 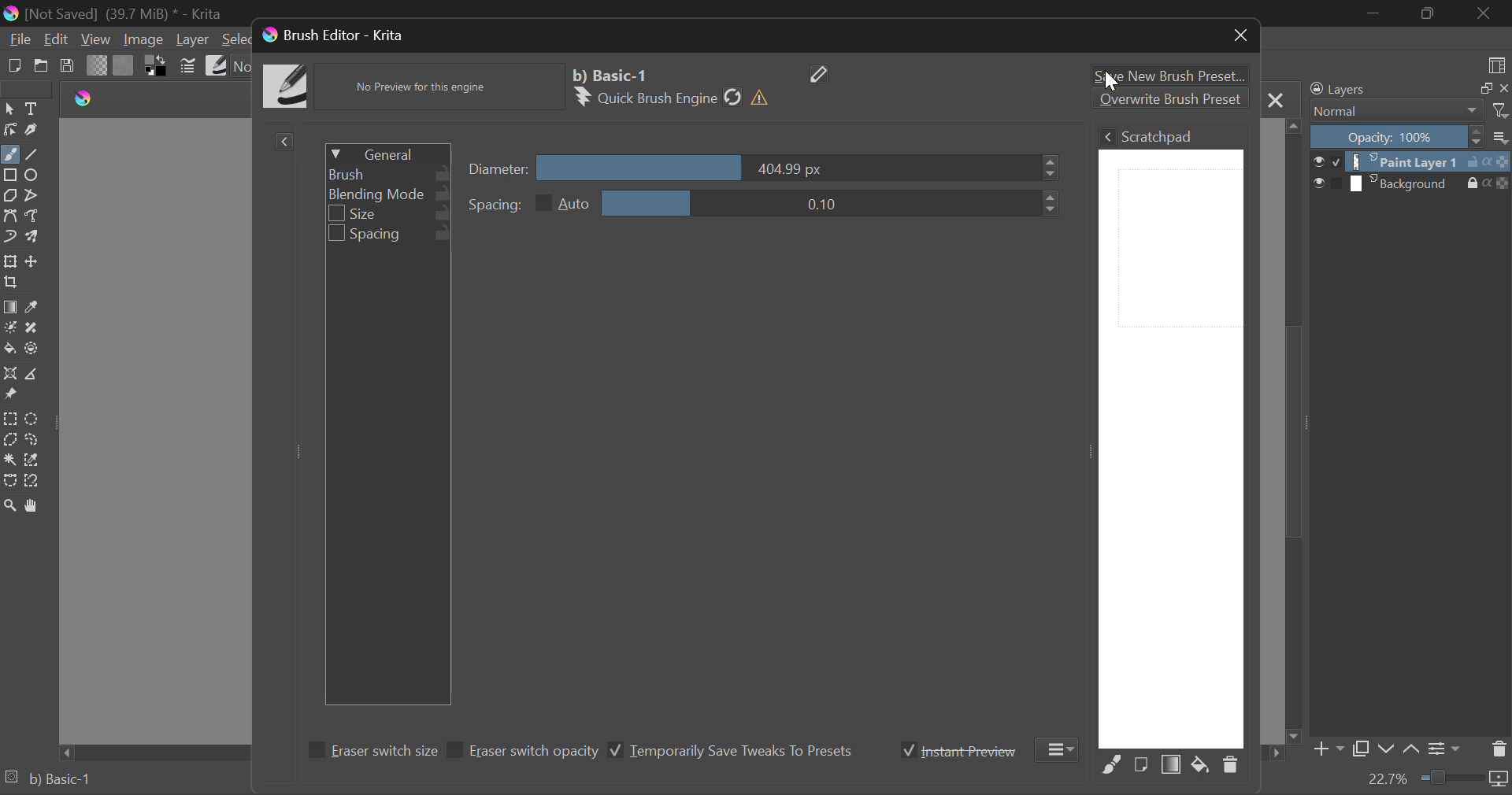 I want to click on Gradient, so click(x=98, y=65).